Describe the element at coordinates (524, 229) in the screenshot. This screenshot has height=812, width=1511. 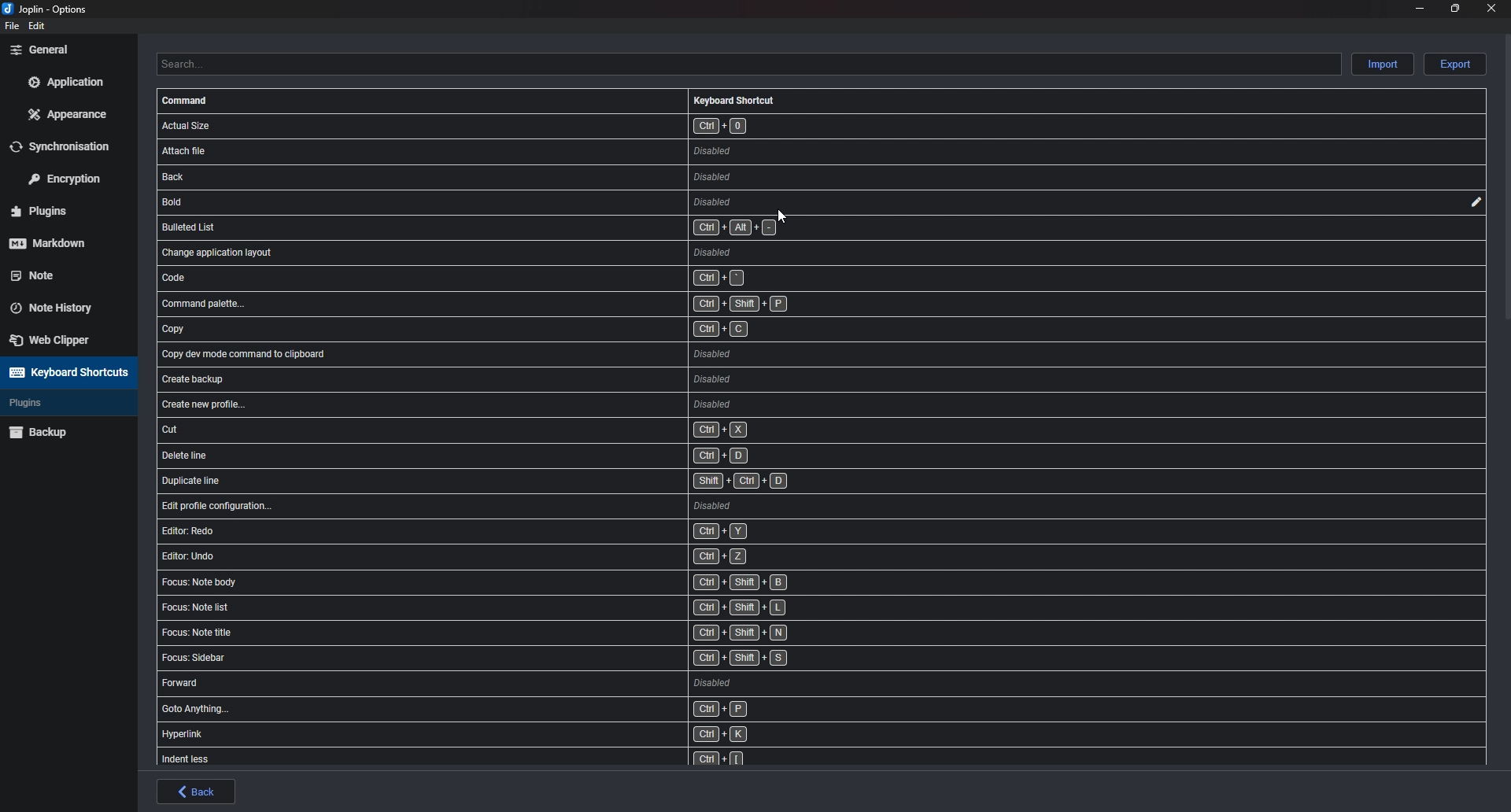
I see `shortcut` at that location.